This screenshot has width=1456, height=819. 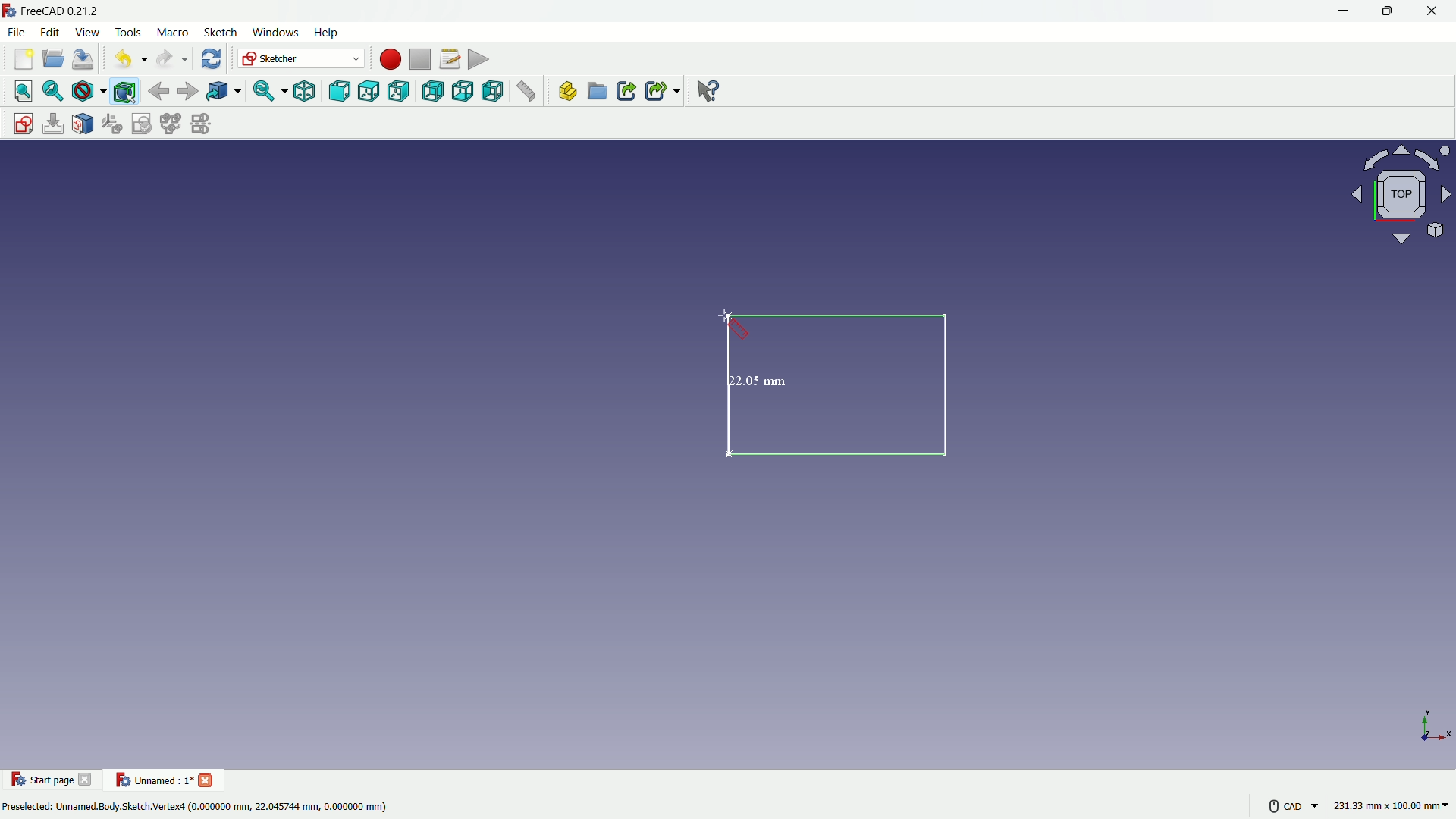 What do you see at coordinates (338, 91) in the screenshot?
I see `front view` at bounding box center [338, 91].